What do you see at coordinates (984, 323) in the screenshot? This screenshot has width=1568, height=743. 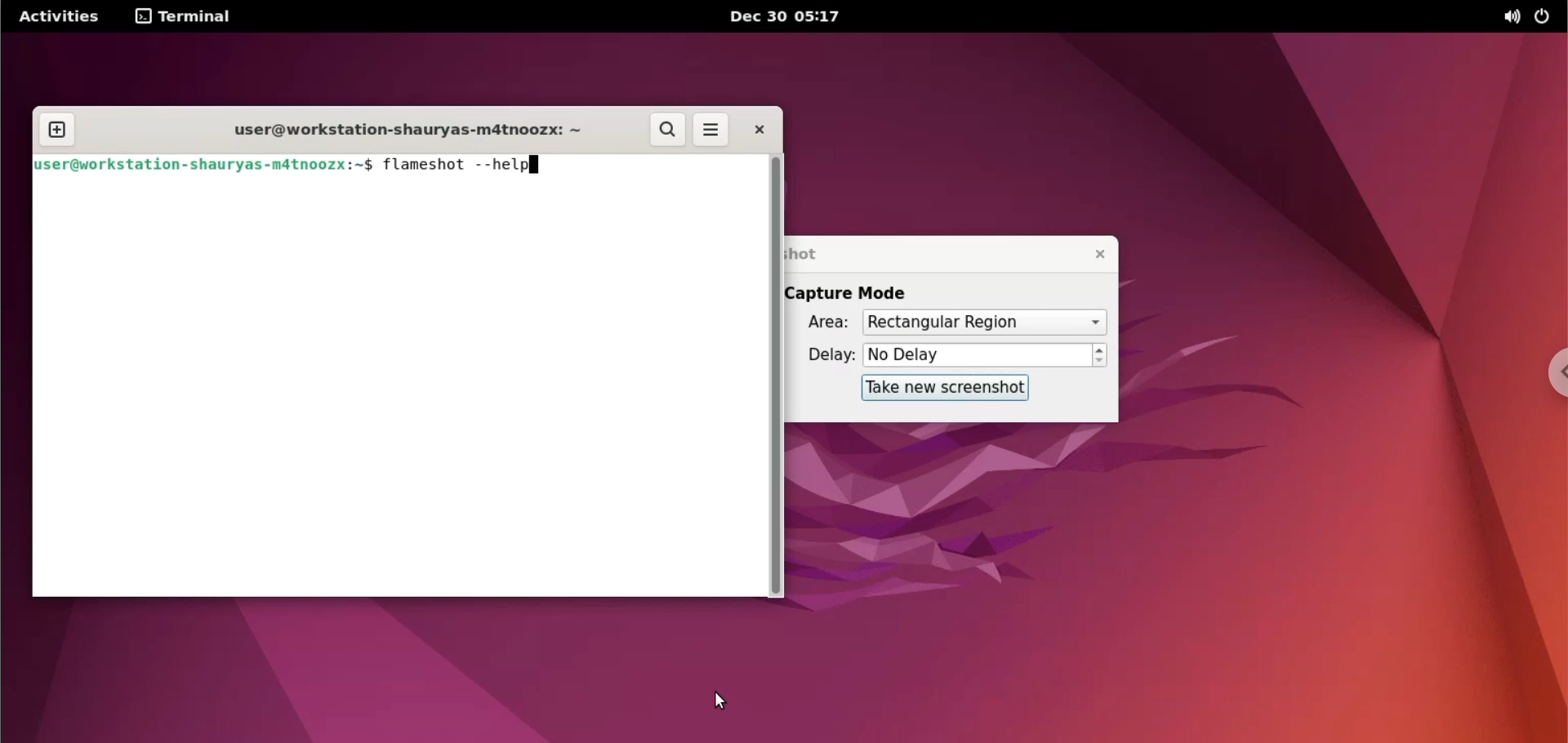 I see `area options` at bounding box center [984, 323].